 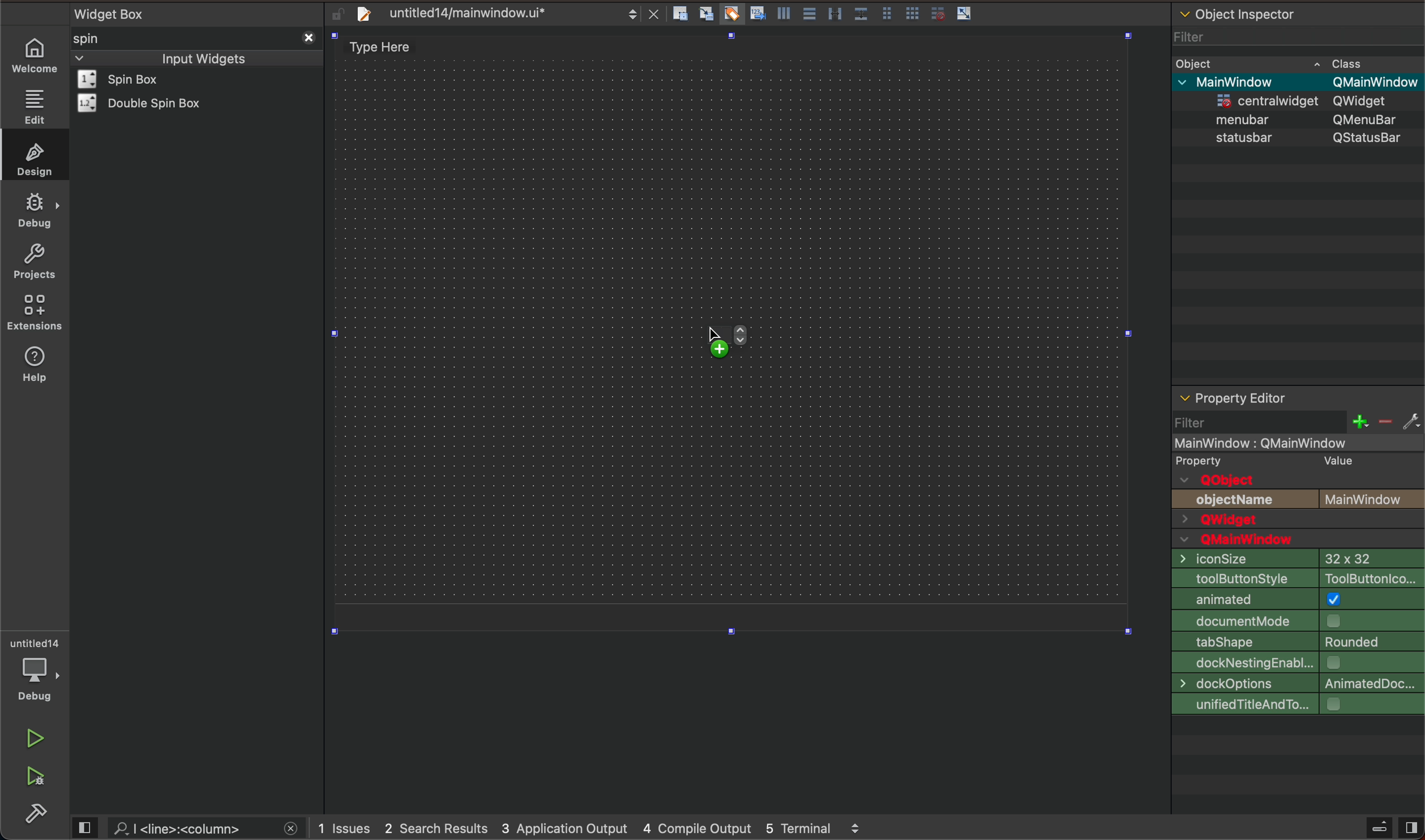 I want to click on text, so click(x=1238, y=500).